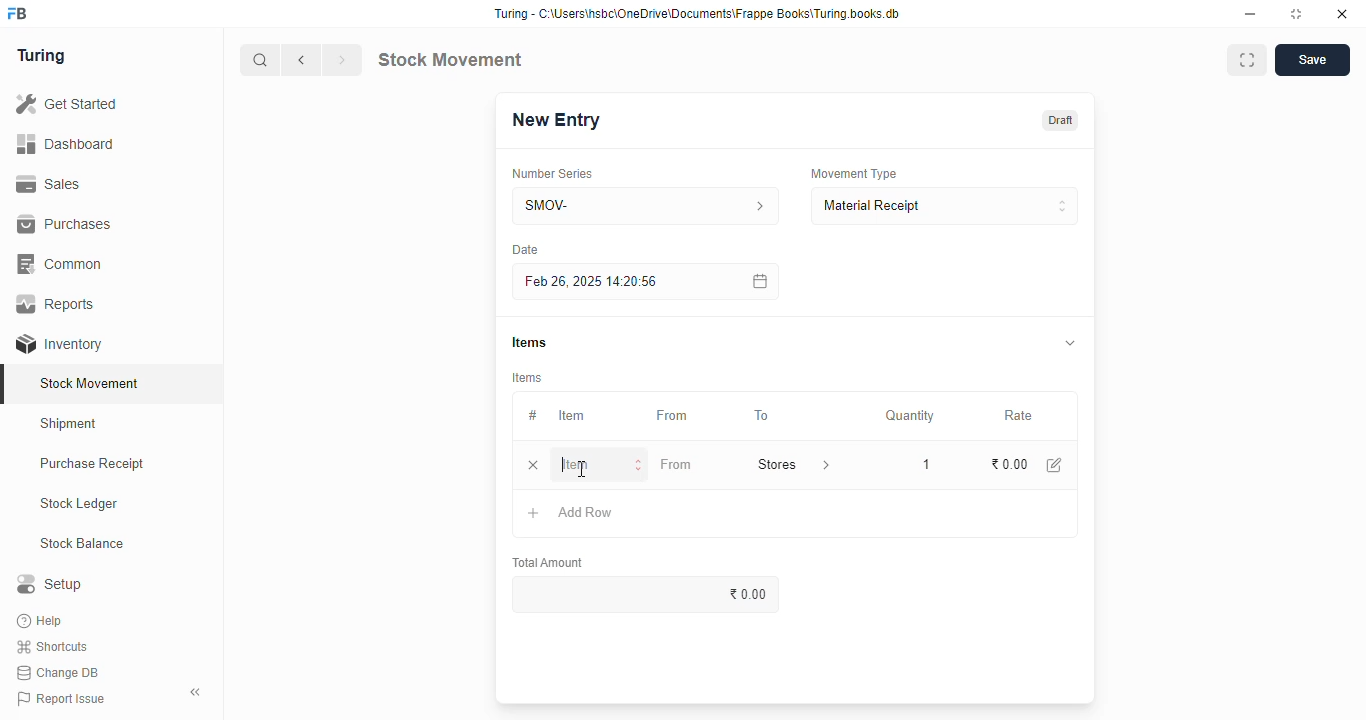 This screenshot has height=720, width=1366. Describe the element at coordinates (42, 621) in the screenshot. I see `help` at that location.